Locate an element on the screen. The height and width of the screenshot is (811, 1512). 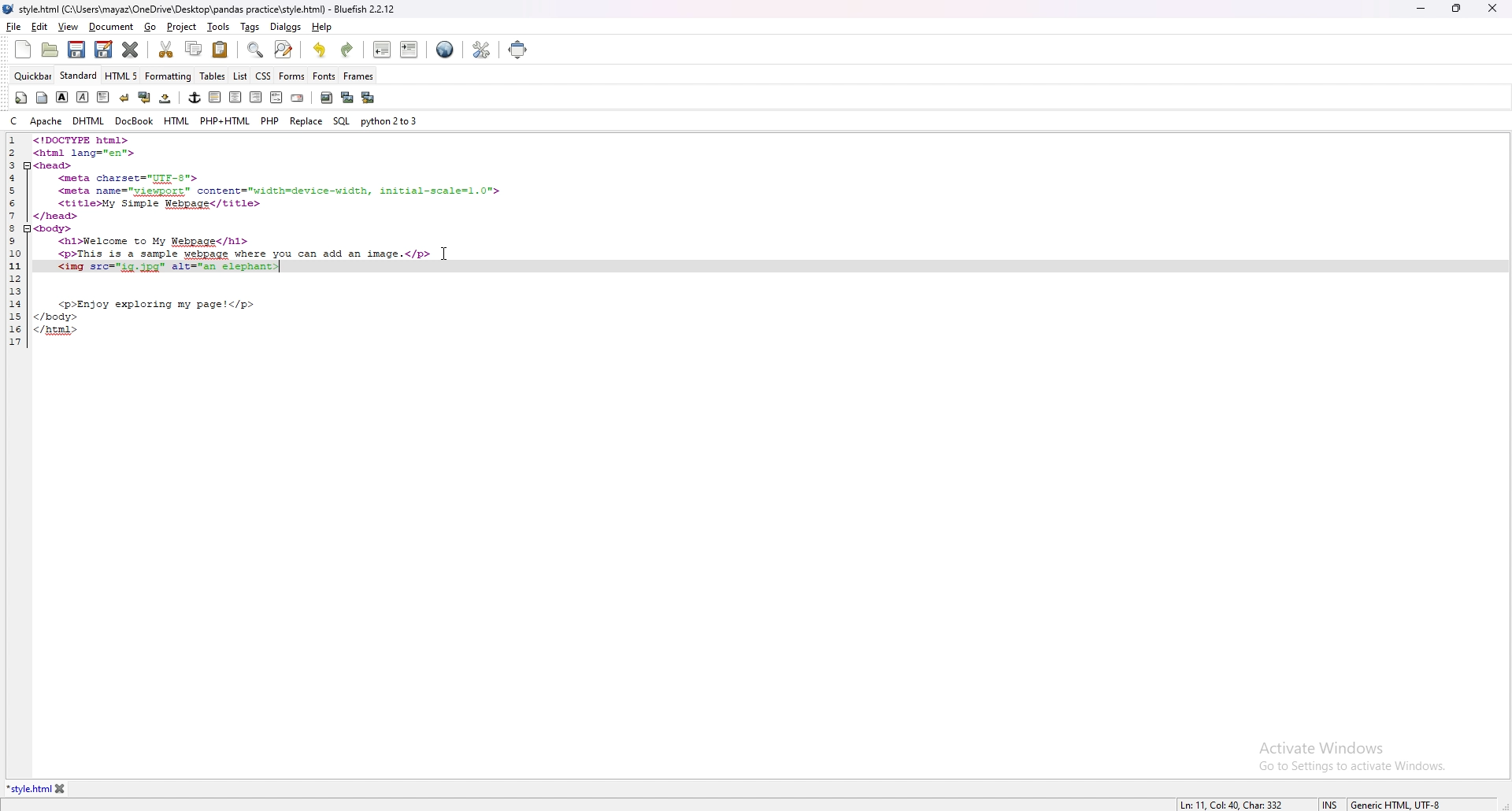
help is located at coordinates (323, 27).